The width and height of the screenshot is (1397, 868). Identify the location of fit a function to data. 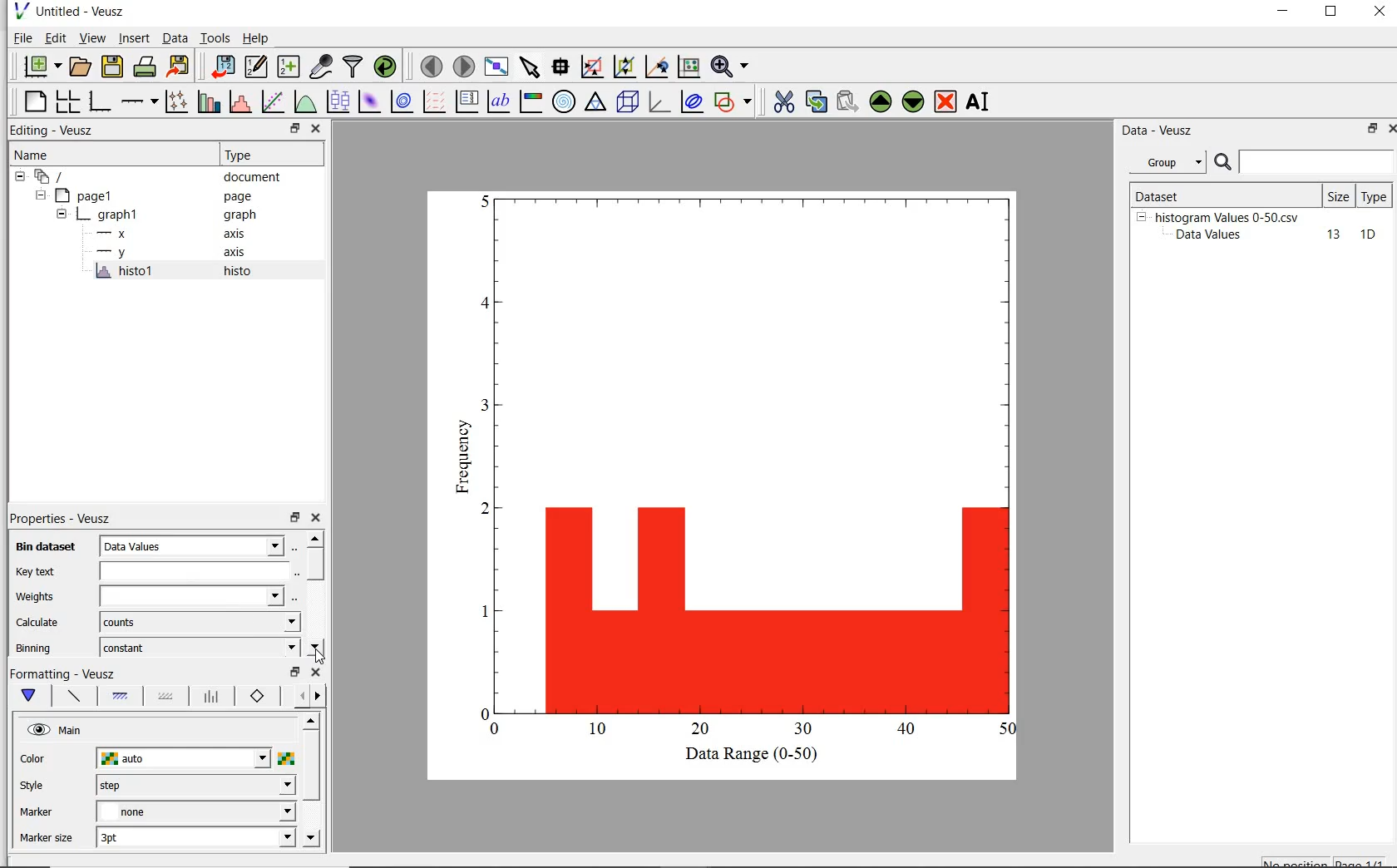
(274, 101).